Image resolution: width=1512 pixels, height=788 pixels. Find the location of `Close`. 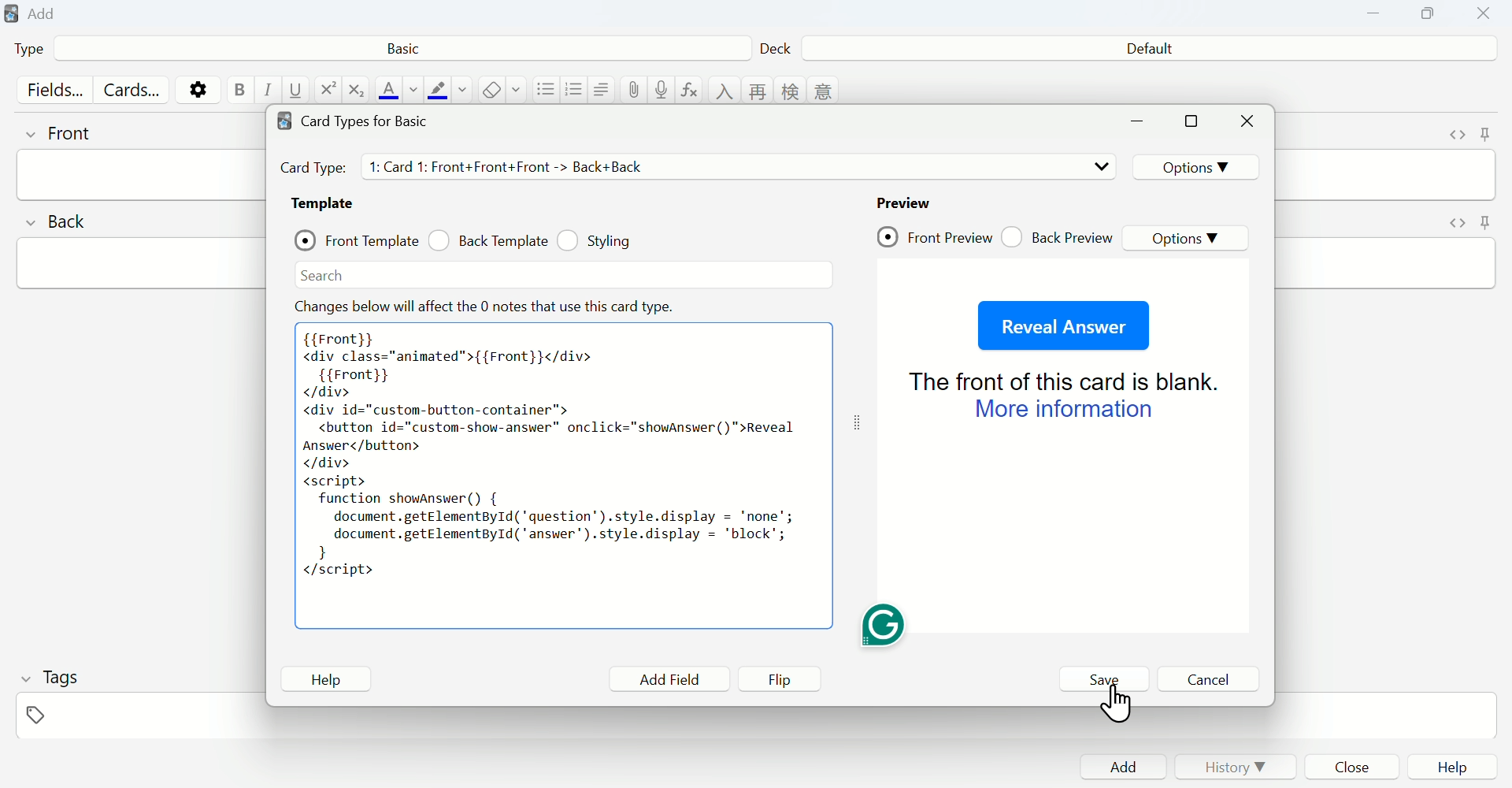

Close is located at coordinates (1486, 21).